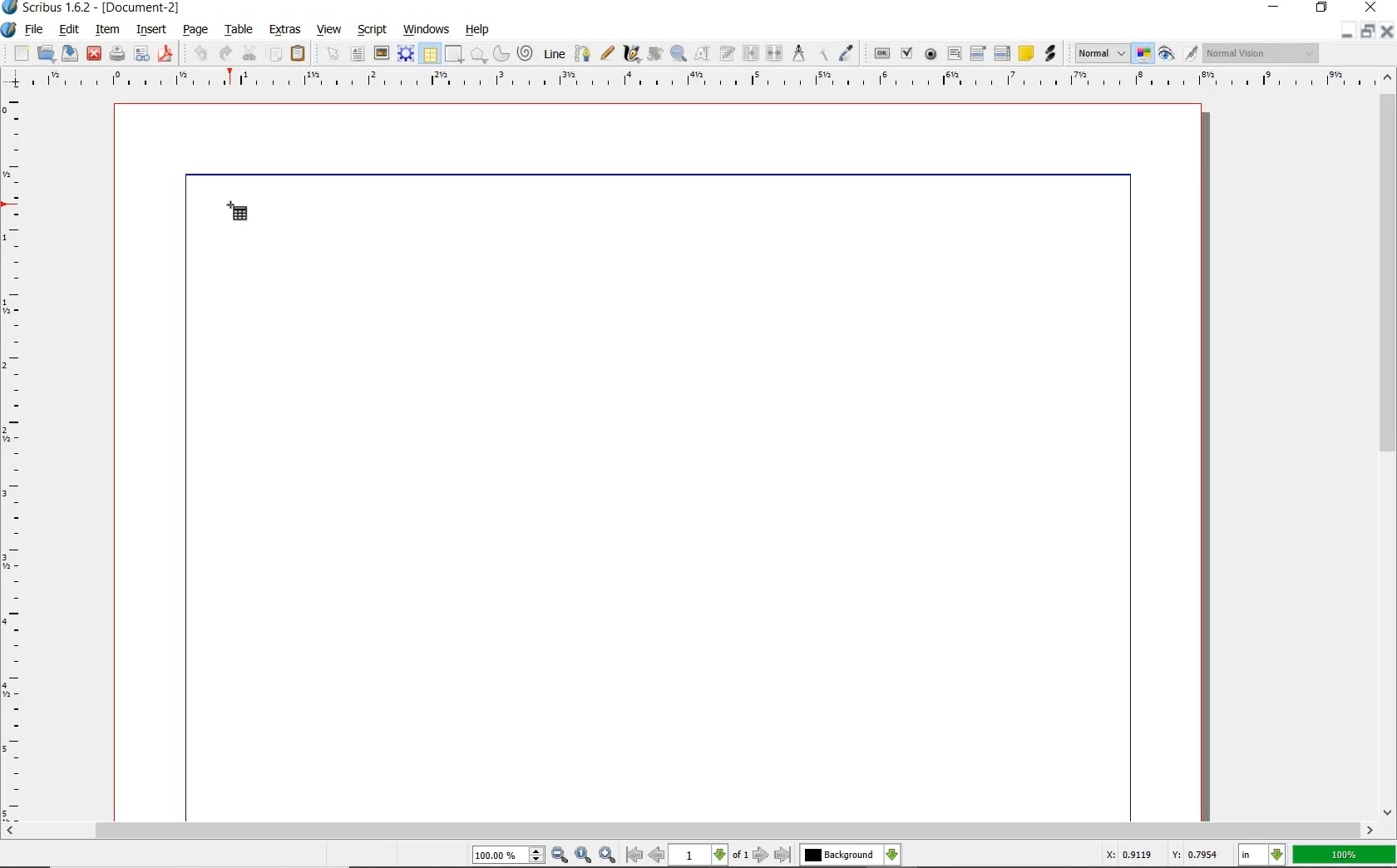 This screenshot has width=1397, height=868. What do you see at coordinates (22, 52) in the screenshot?
I see `new` at bounding box center [22, 52].